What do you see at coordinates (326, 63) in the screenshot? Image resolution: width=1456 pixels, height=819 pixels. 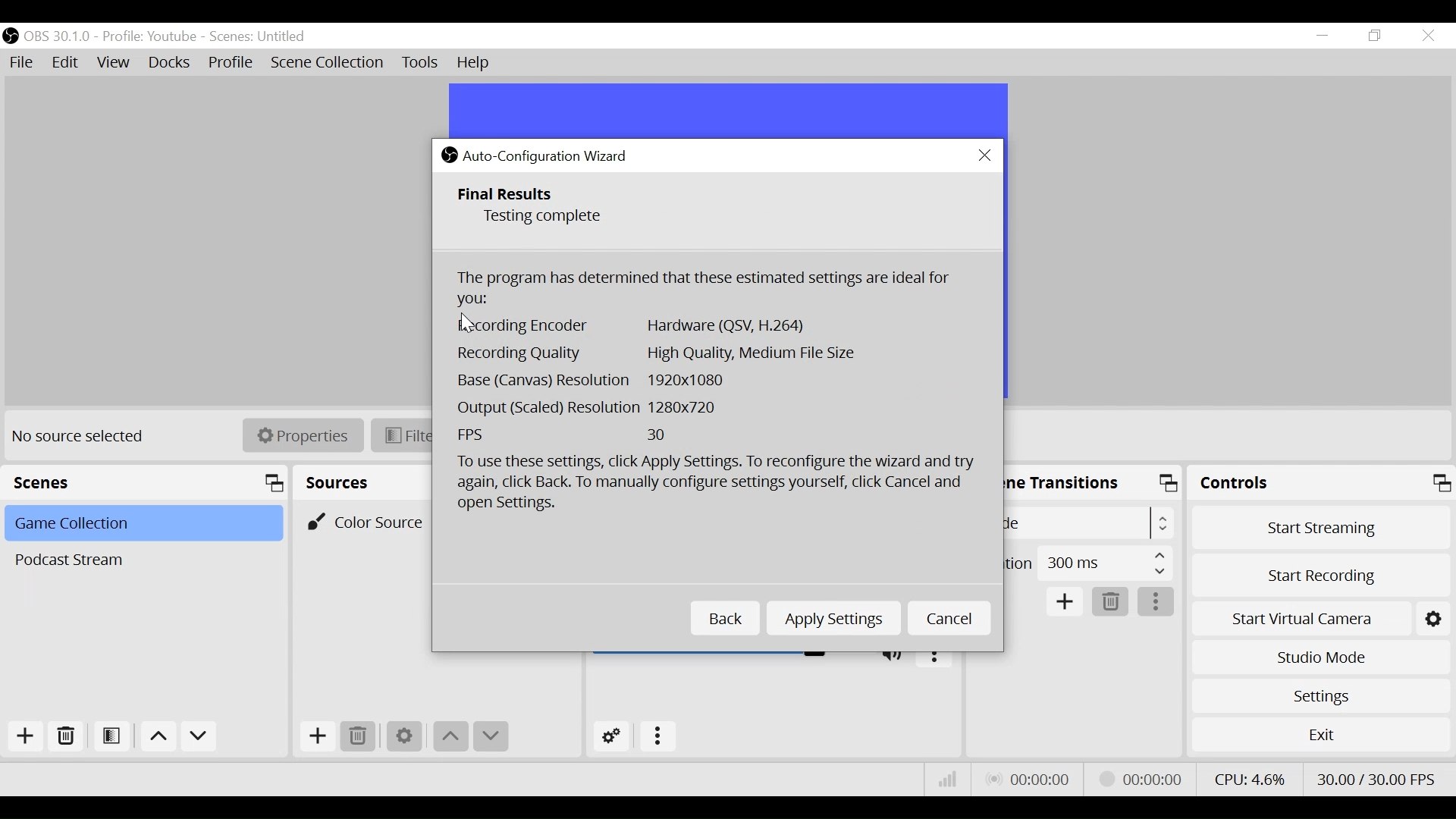 I see `Scene Collection` at bounding box center [326, 63].